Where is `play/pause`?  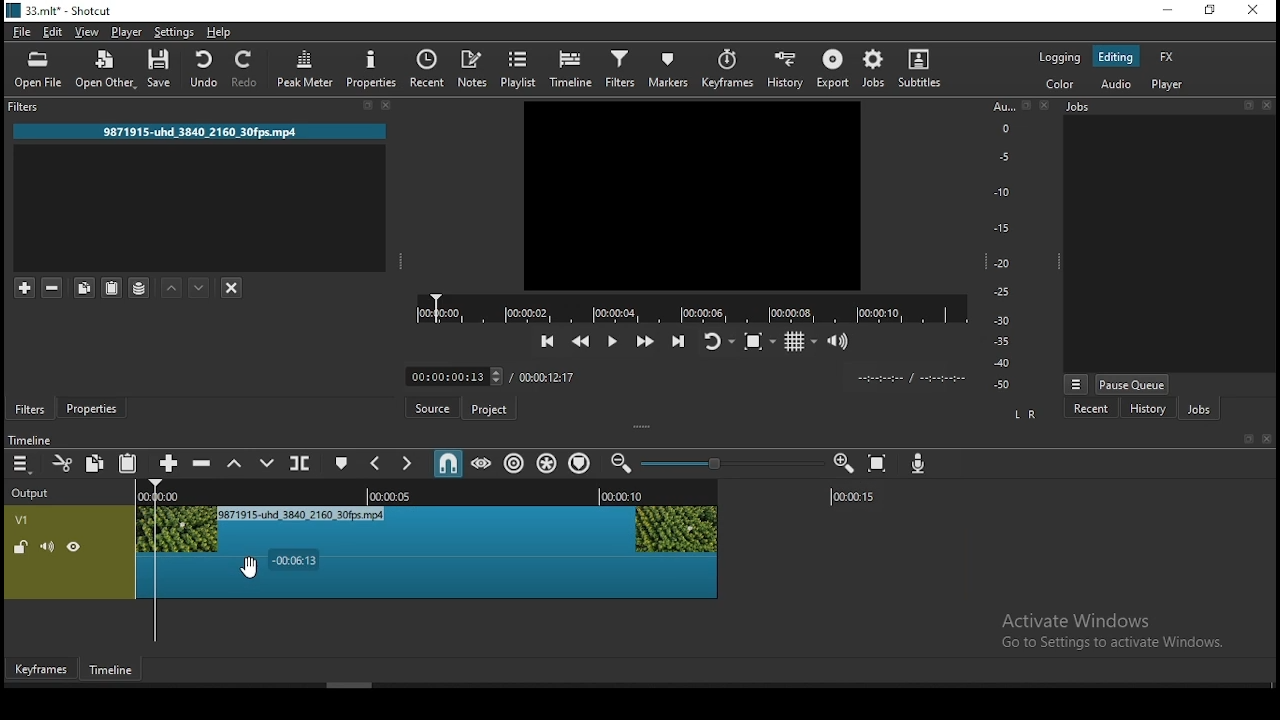 play/pause is located at coordinates (614, 341).